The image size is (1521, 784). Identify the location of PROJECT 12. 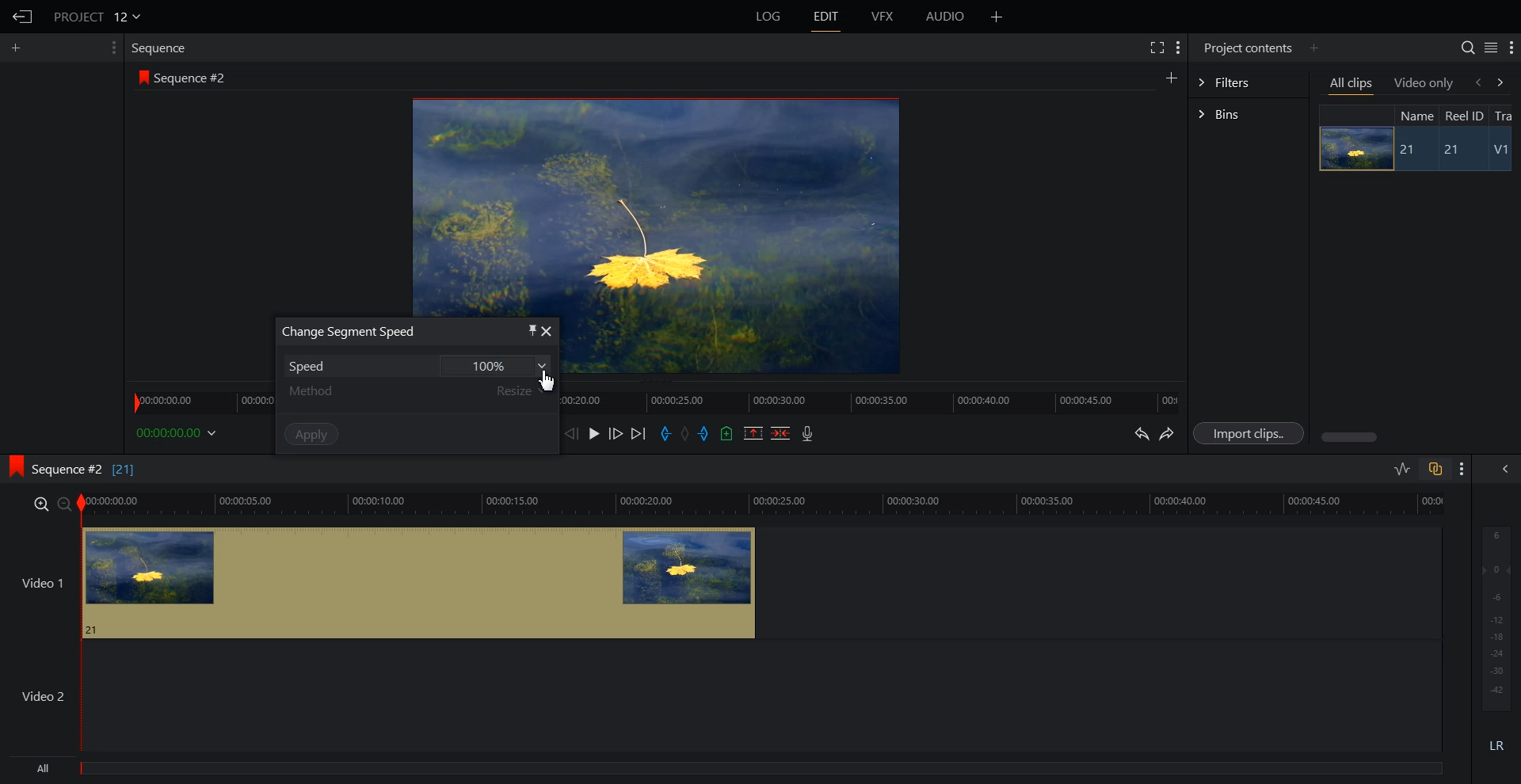
(97, 16).